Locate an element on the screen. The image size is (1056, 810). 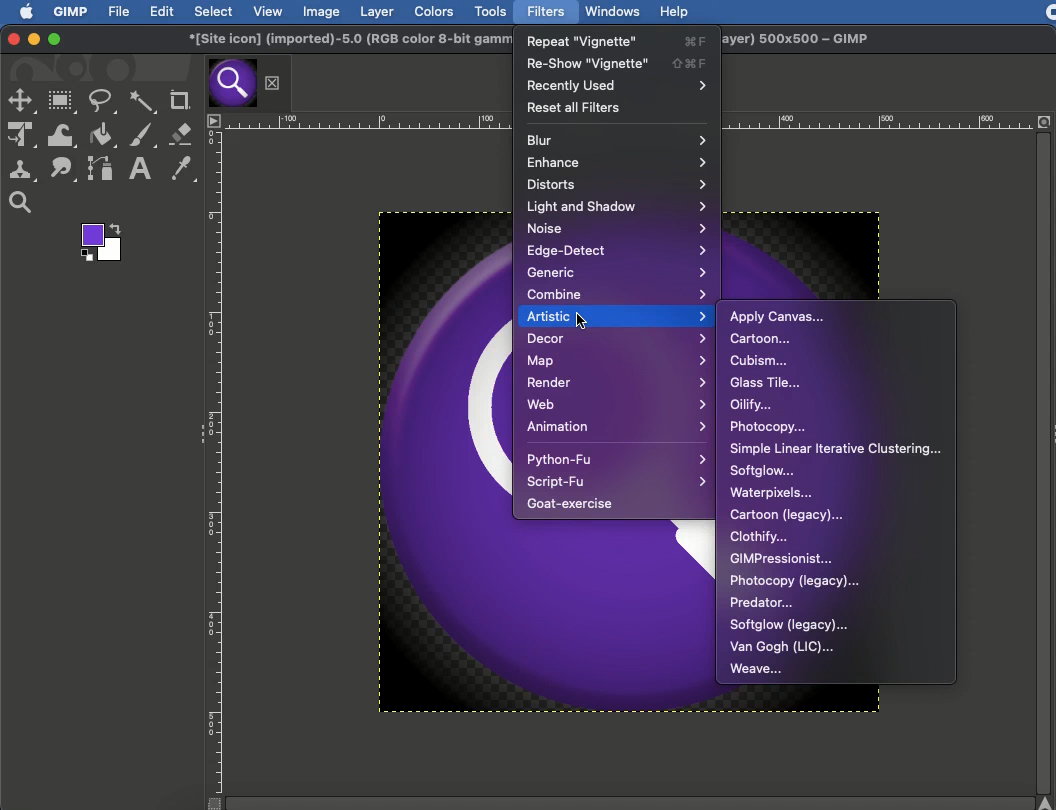
Image is located at coordinates (320, 11).